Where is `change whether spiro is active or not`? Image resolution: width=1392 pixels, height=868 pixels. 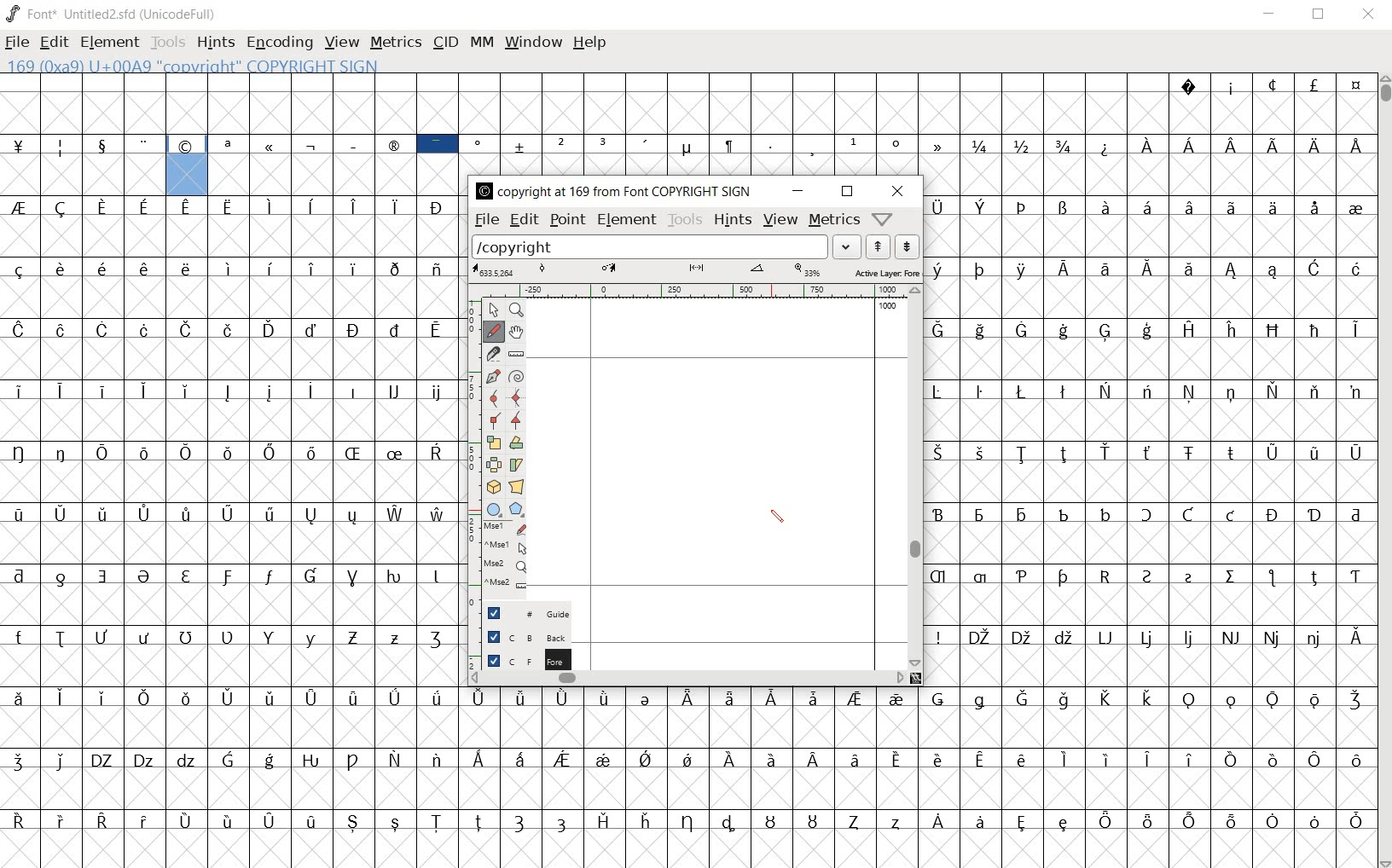
change whether spiro is active or not is located at coordinates (517, 376).